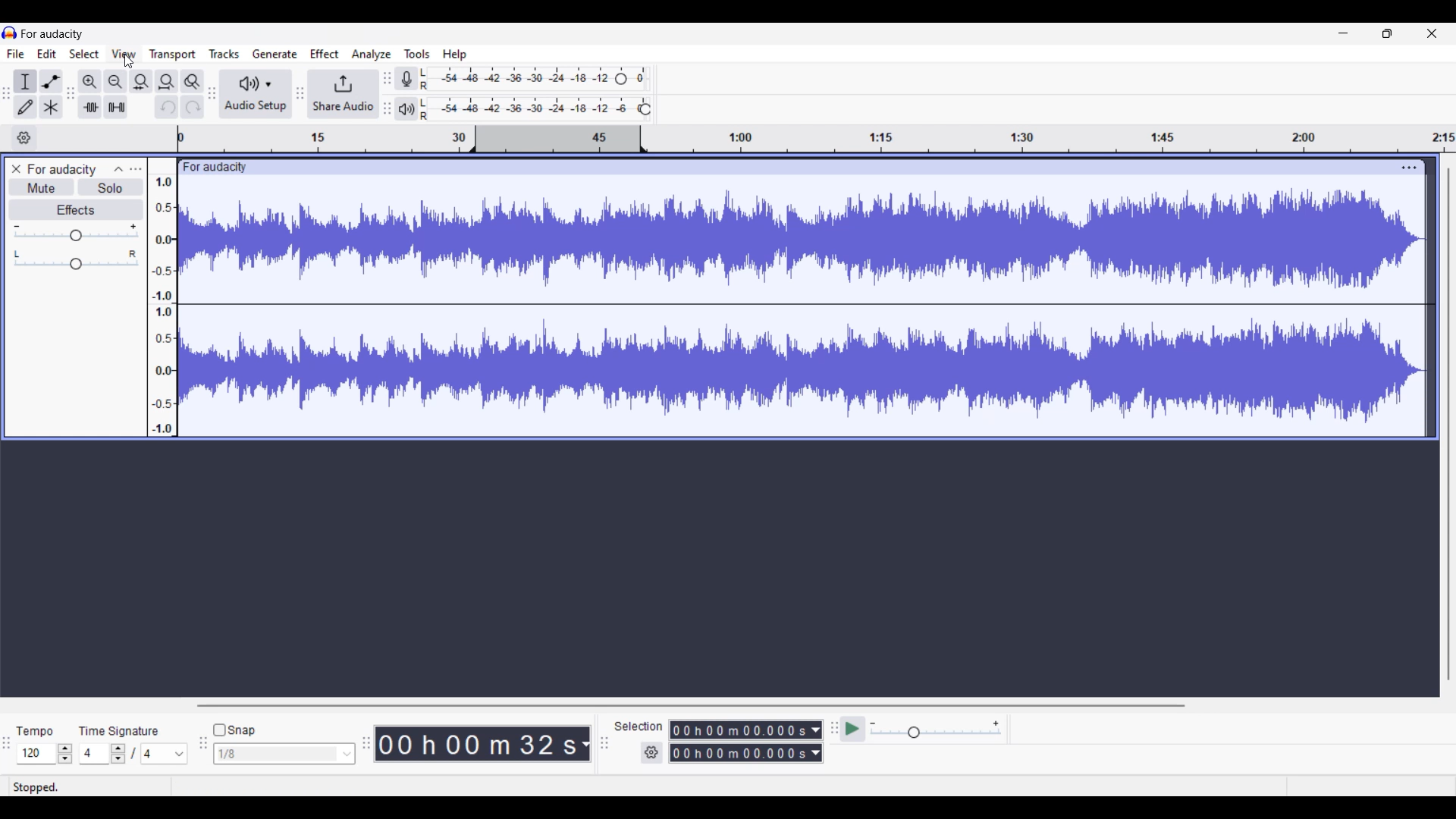  I want to click on Silence audio selection, so click(116, 107).